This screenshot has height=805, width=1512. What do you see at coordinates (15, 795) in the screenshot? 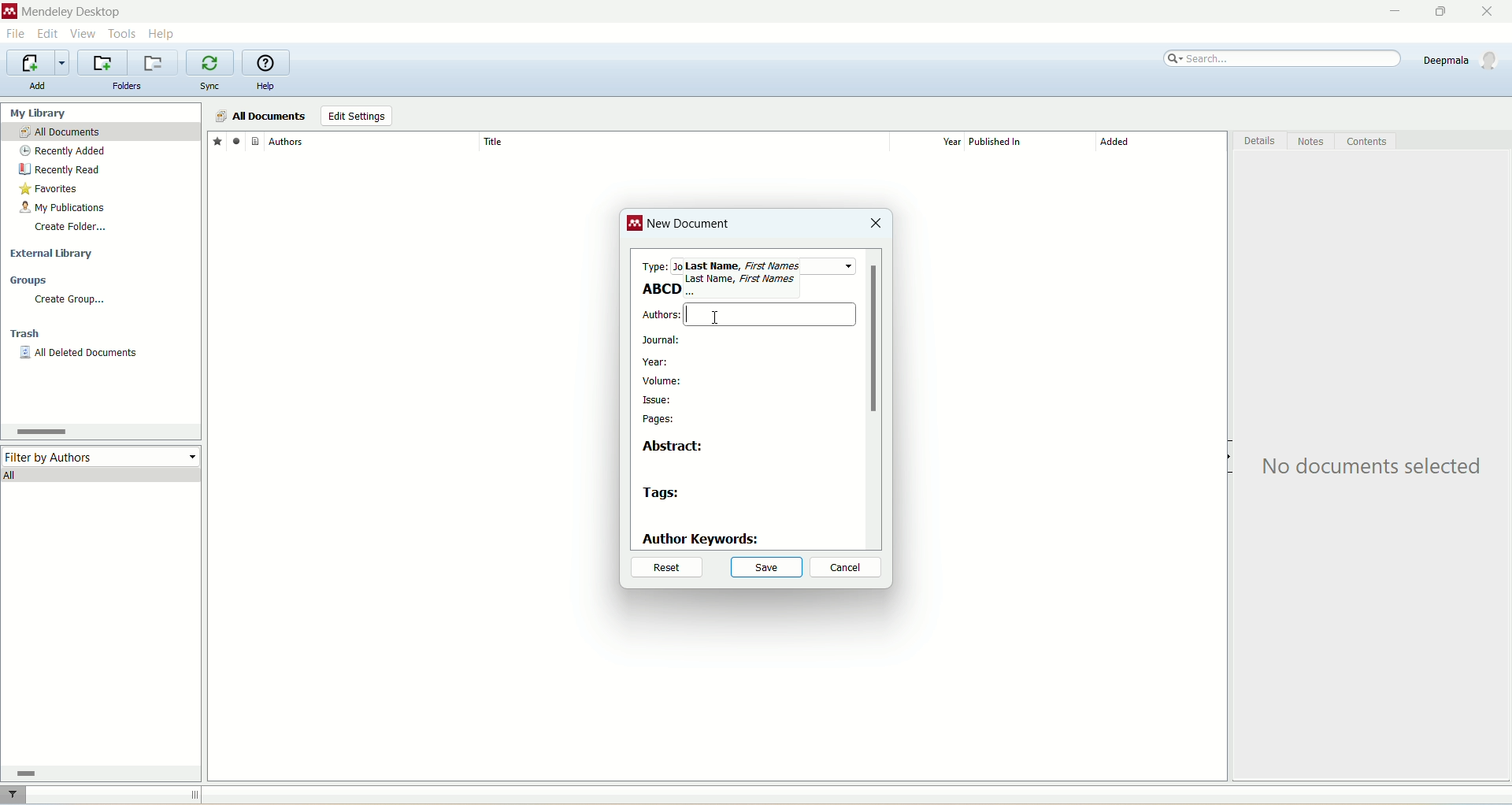
I see `filter` at bounding box center [15, 795].